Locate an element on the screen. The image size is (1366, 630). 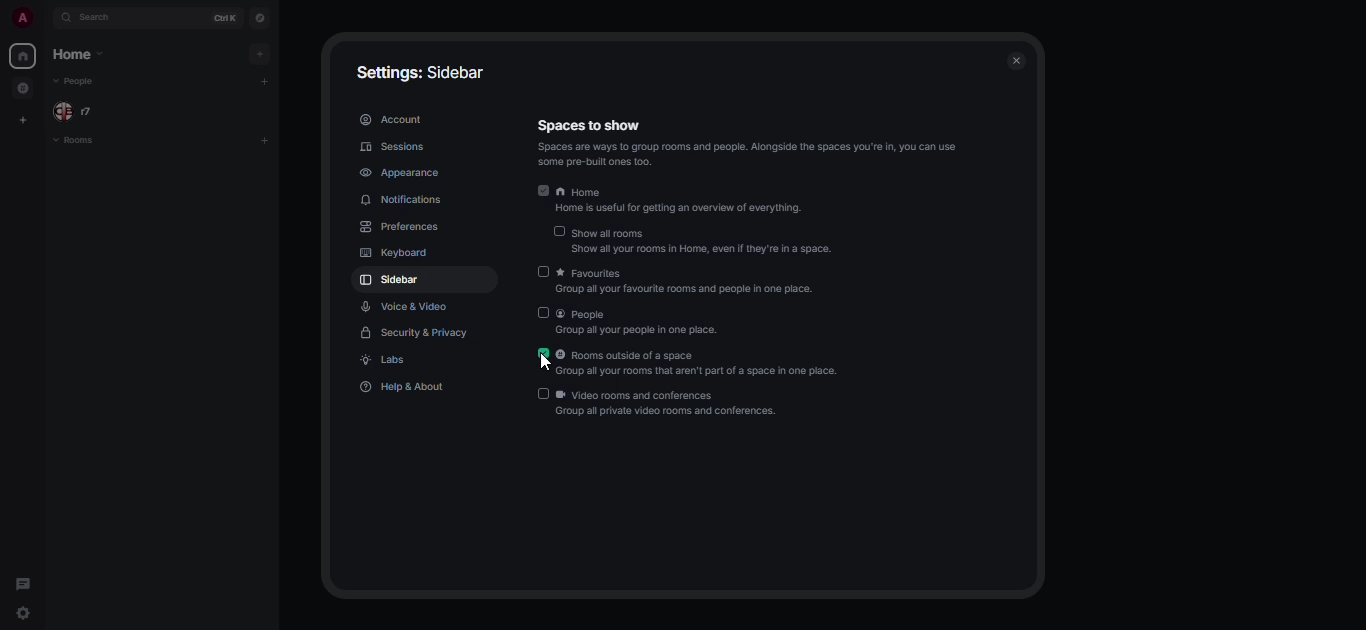
enabled is located at coordinates (543, 190).